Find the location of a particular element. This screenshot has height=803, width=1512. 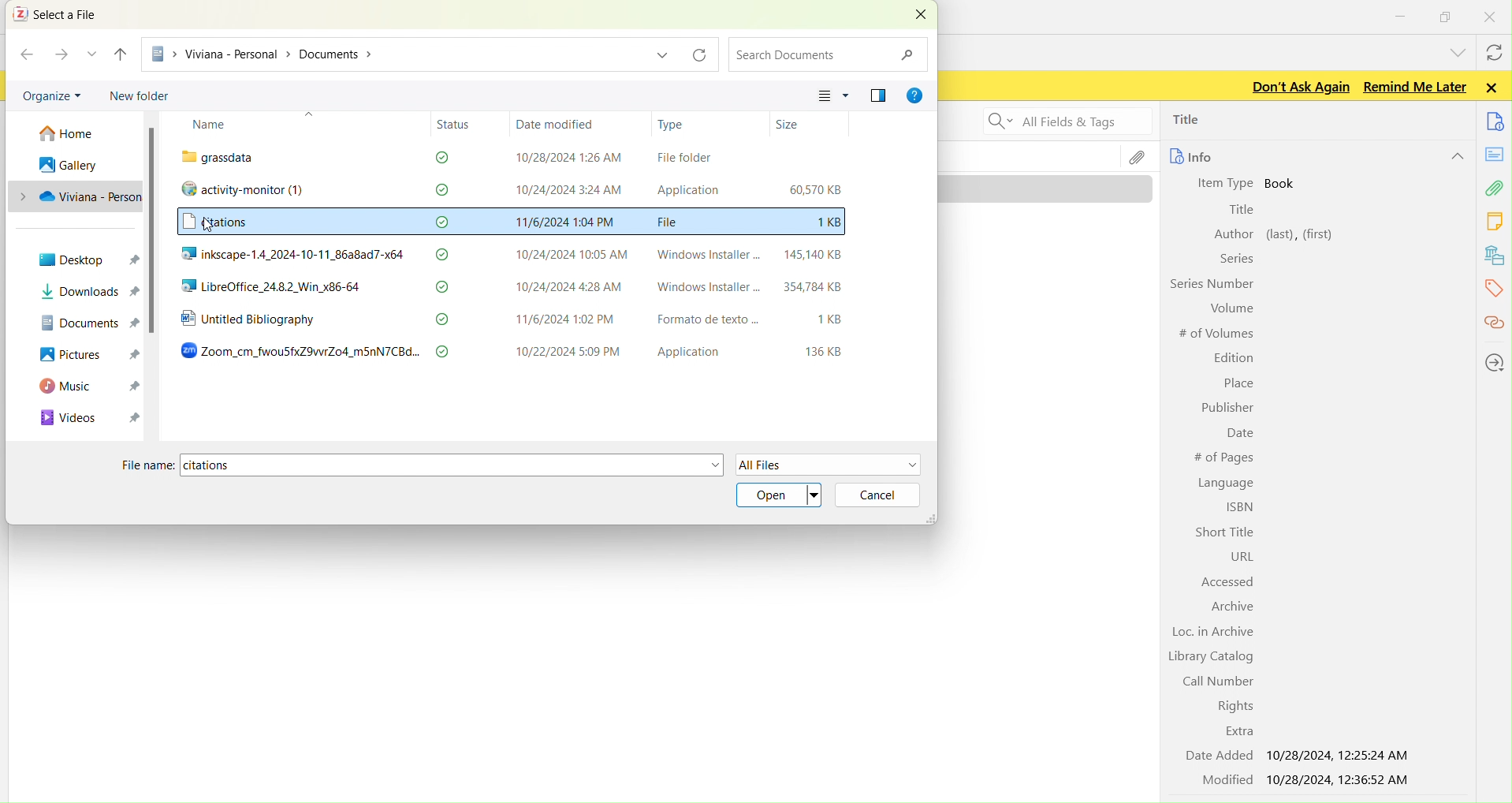

hide is located at coordinates (1455, 155).